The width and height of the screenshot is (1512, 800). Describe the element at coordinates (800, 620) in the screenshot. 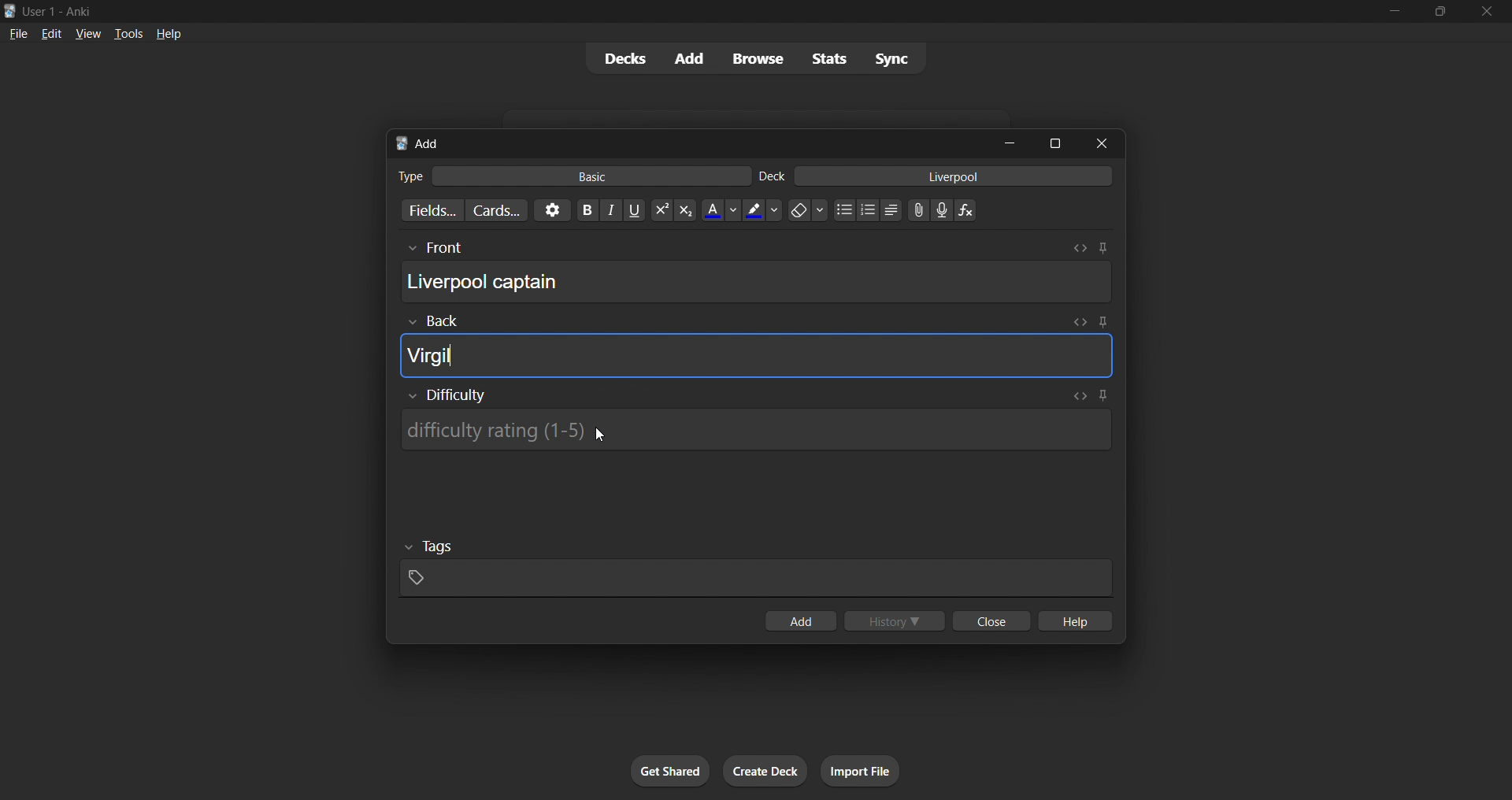

I see `add` at that location.